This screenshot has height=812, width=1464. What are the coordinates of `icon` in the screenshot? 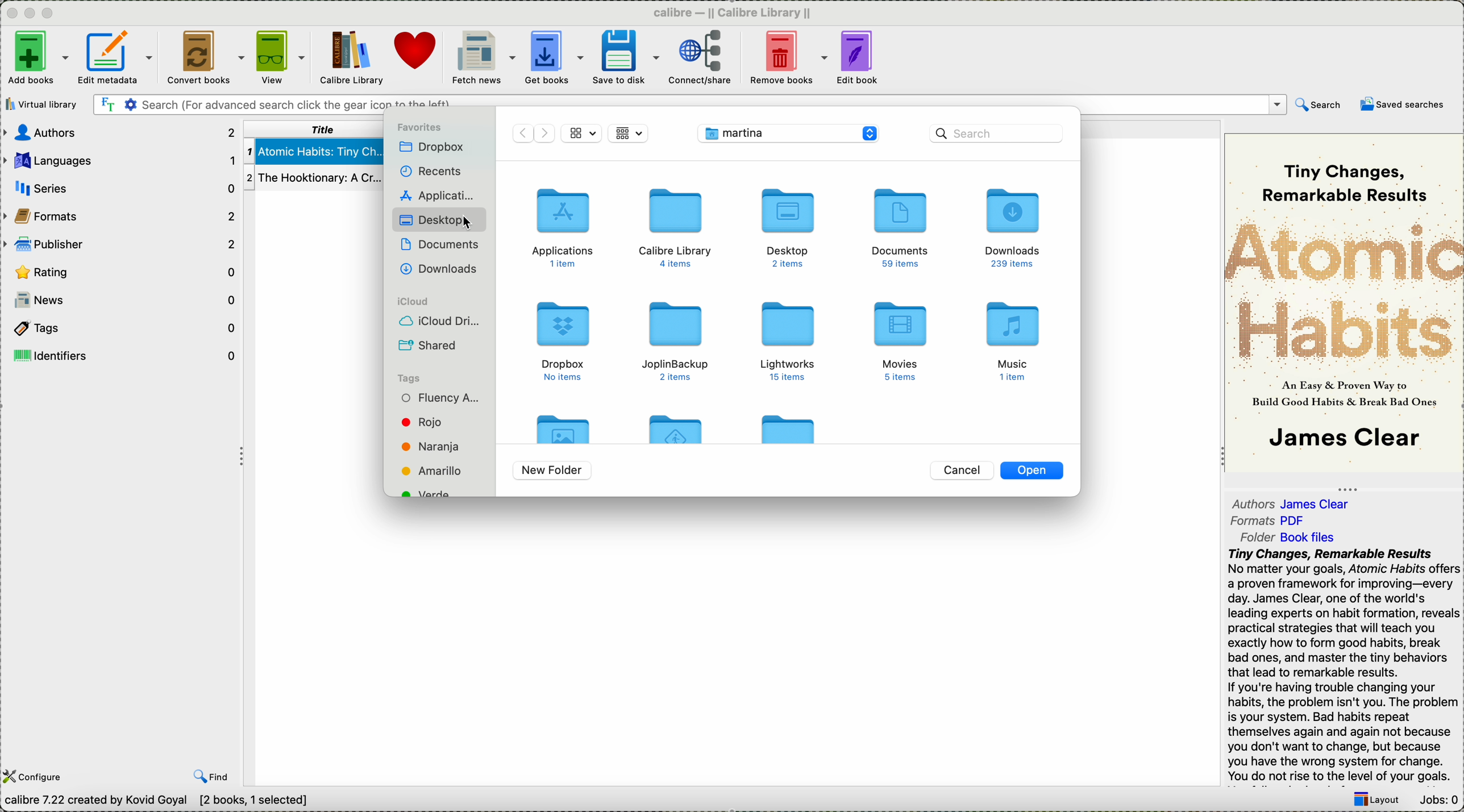 It's located at (531, 133).